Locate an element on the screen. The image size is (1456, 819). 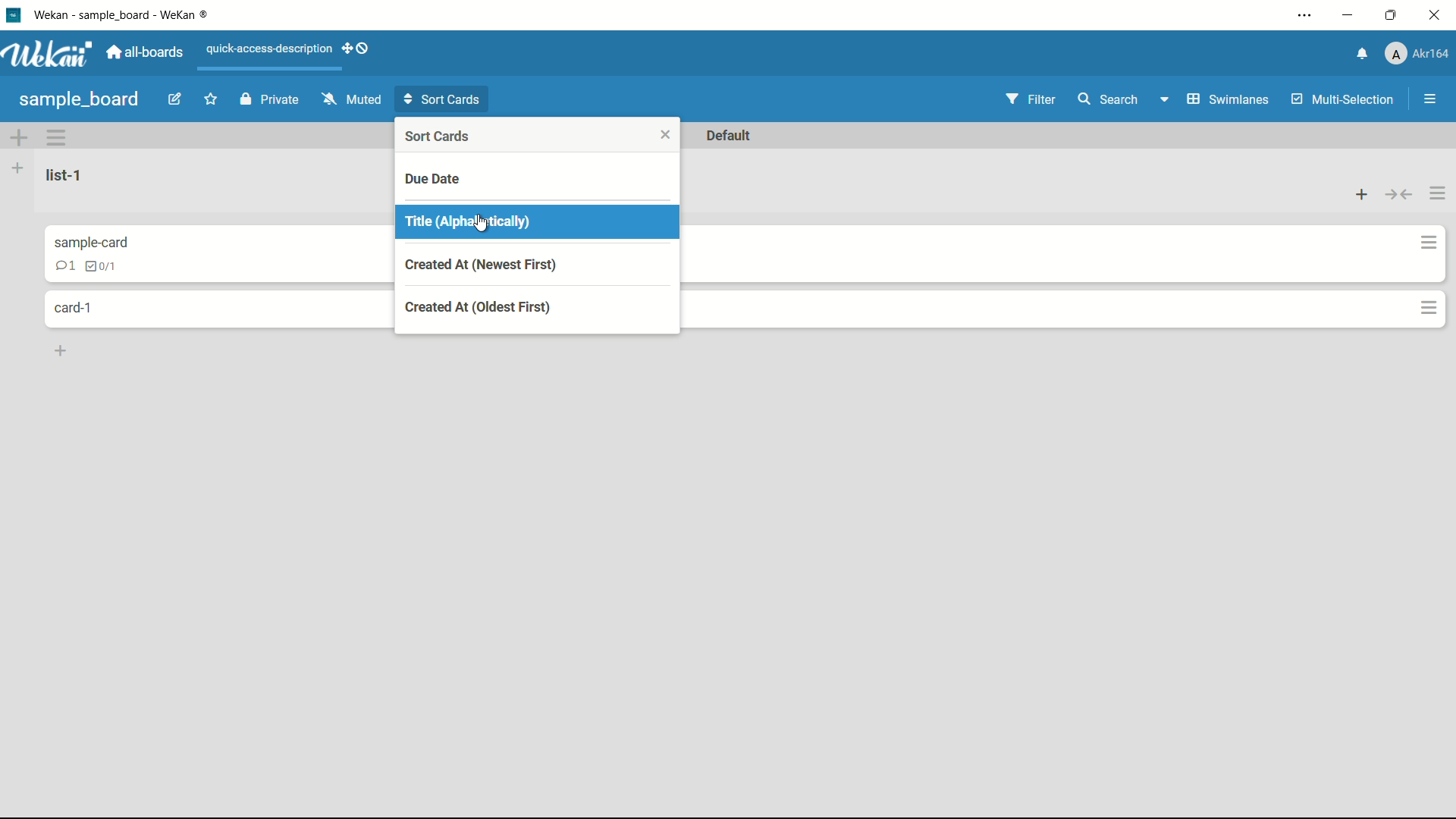
close is located at coordinates (665, 136).